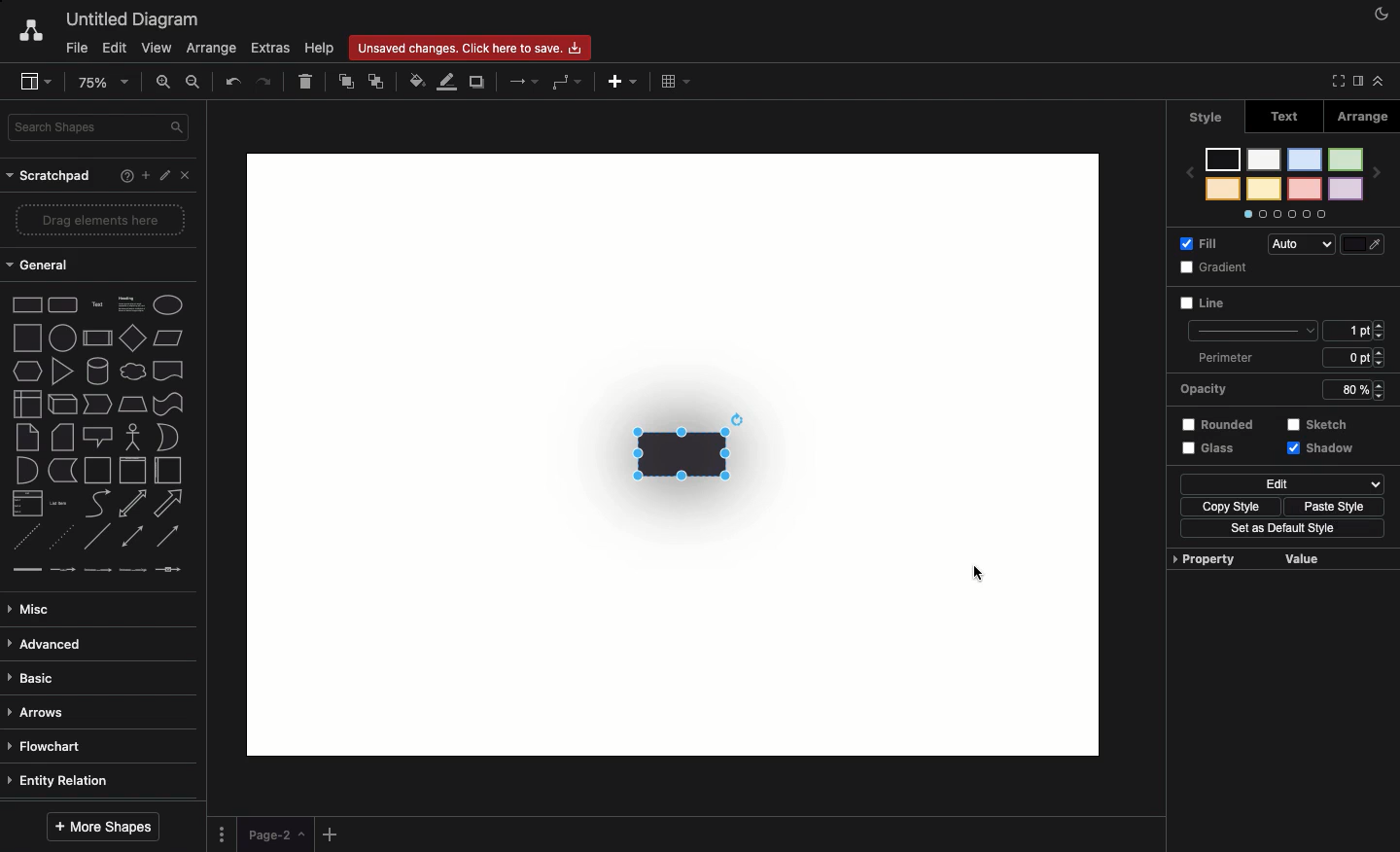 The height and width of the screenshot is (852, 1400). Describe the element at coordinates (96, 538) in the screenshot. I see `line` at that location.